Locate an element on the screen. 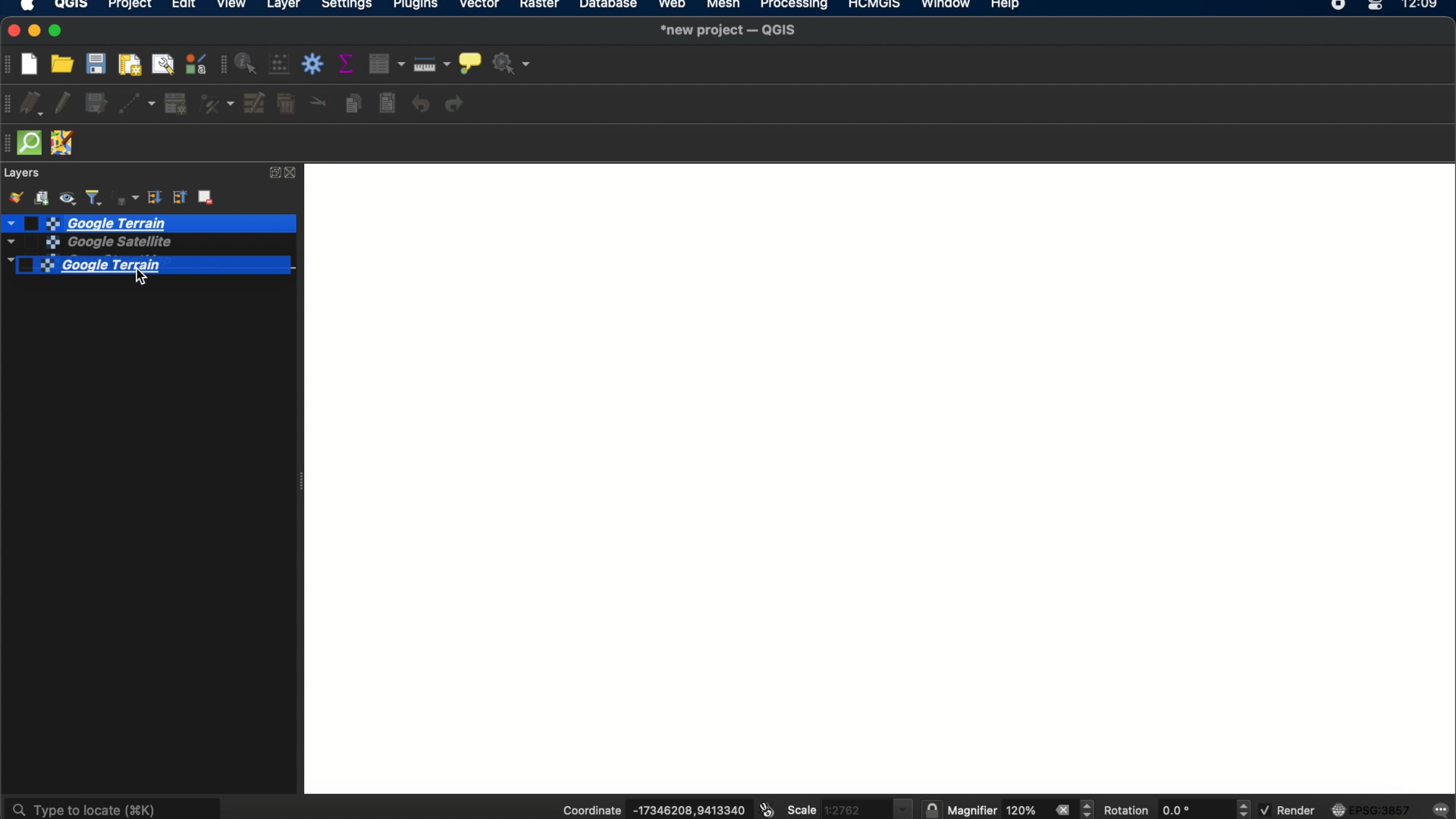  control center is located at coordinates (1377, 6).